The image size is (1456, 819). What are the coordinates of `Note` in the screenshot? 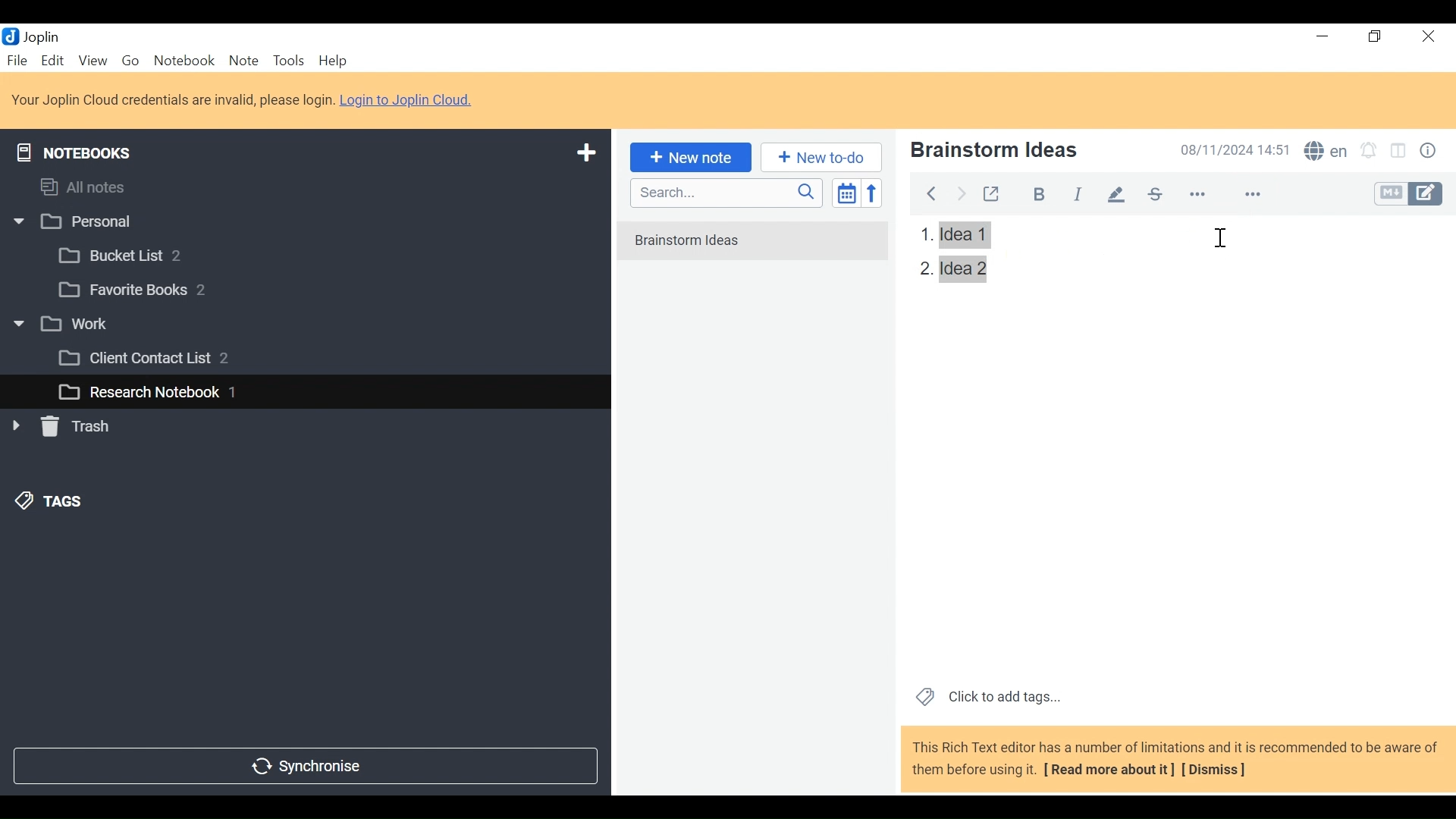 It's located at (243, 60).